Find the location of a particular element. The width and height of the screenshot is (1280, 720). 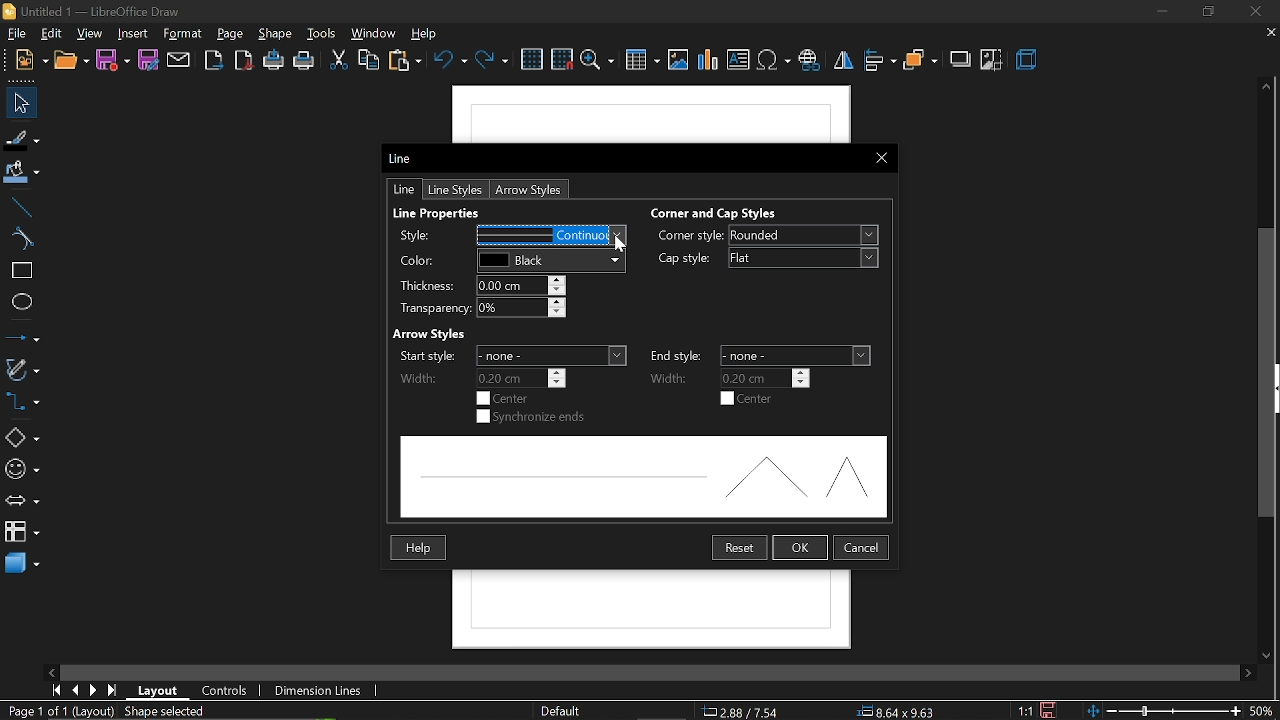

transparency is located at coordinates (479, 308).